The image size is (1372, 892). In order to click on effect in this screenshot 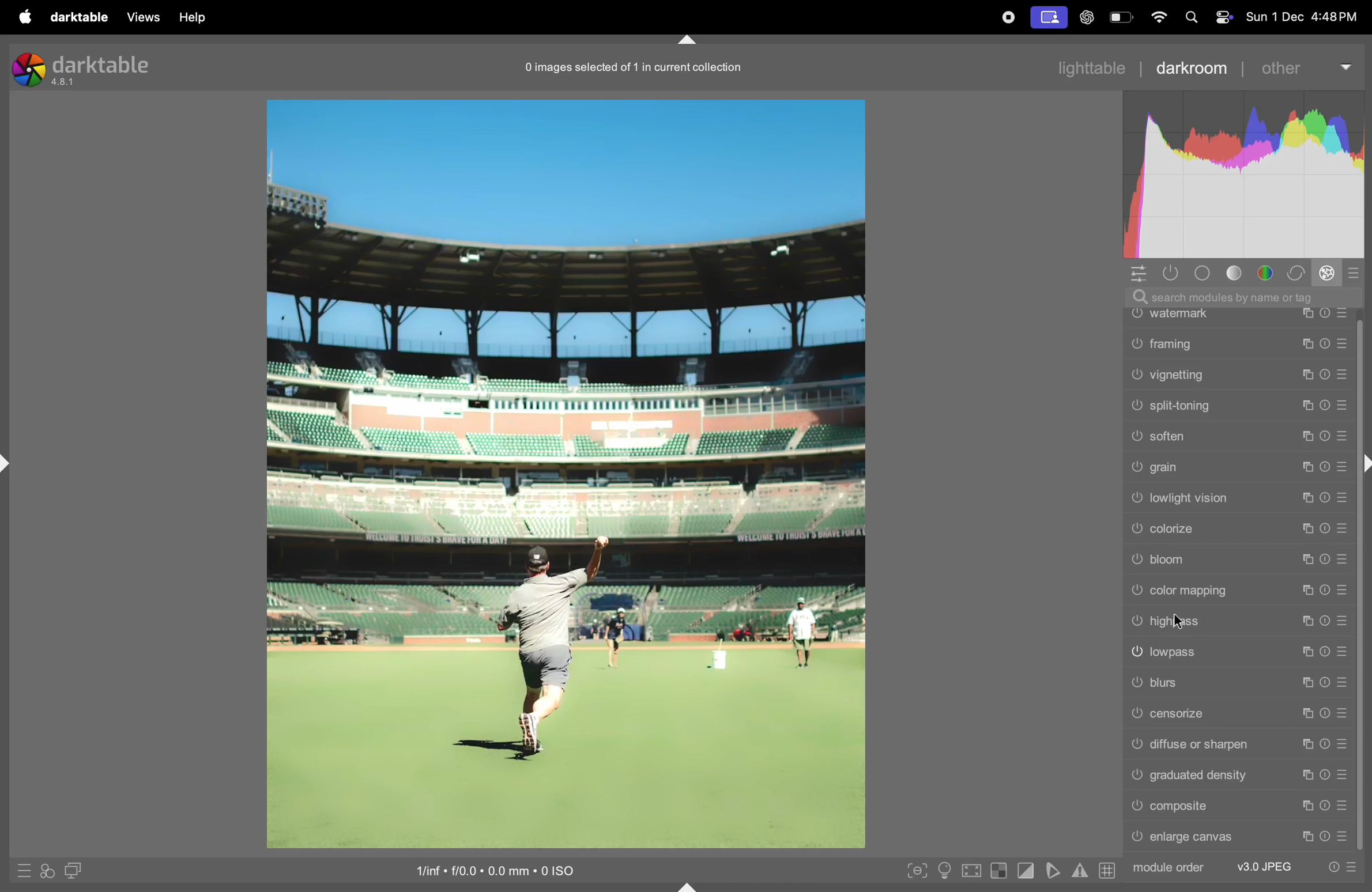, I will do `click(1327, 272)`.